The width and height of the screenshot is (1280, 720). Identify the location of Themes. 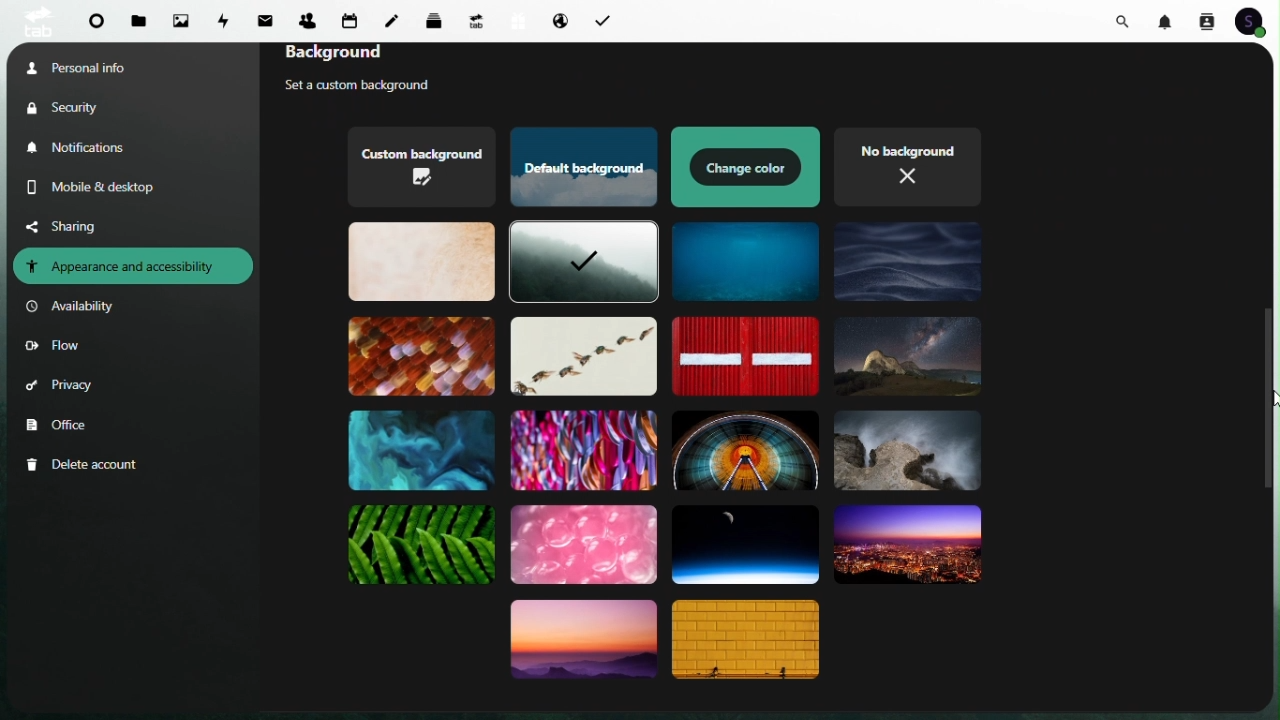
(745, 545).